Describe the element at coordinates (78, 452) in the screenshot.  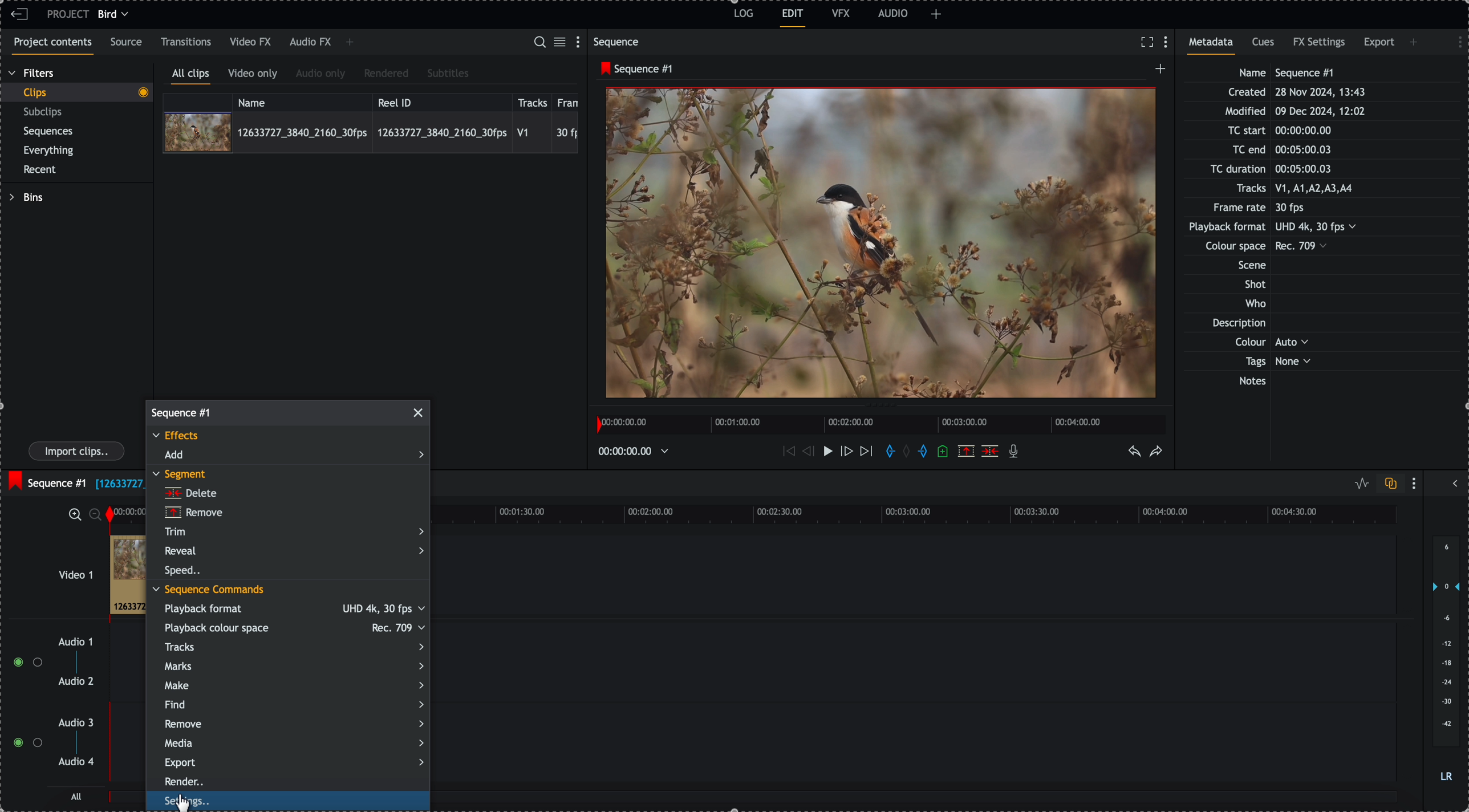
I see `import clips button` at that location.